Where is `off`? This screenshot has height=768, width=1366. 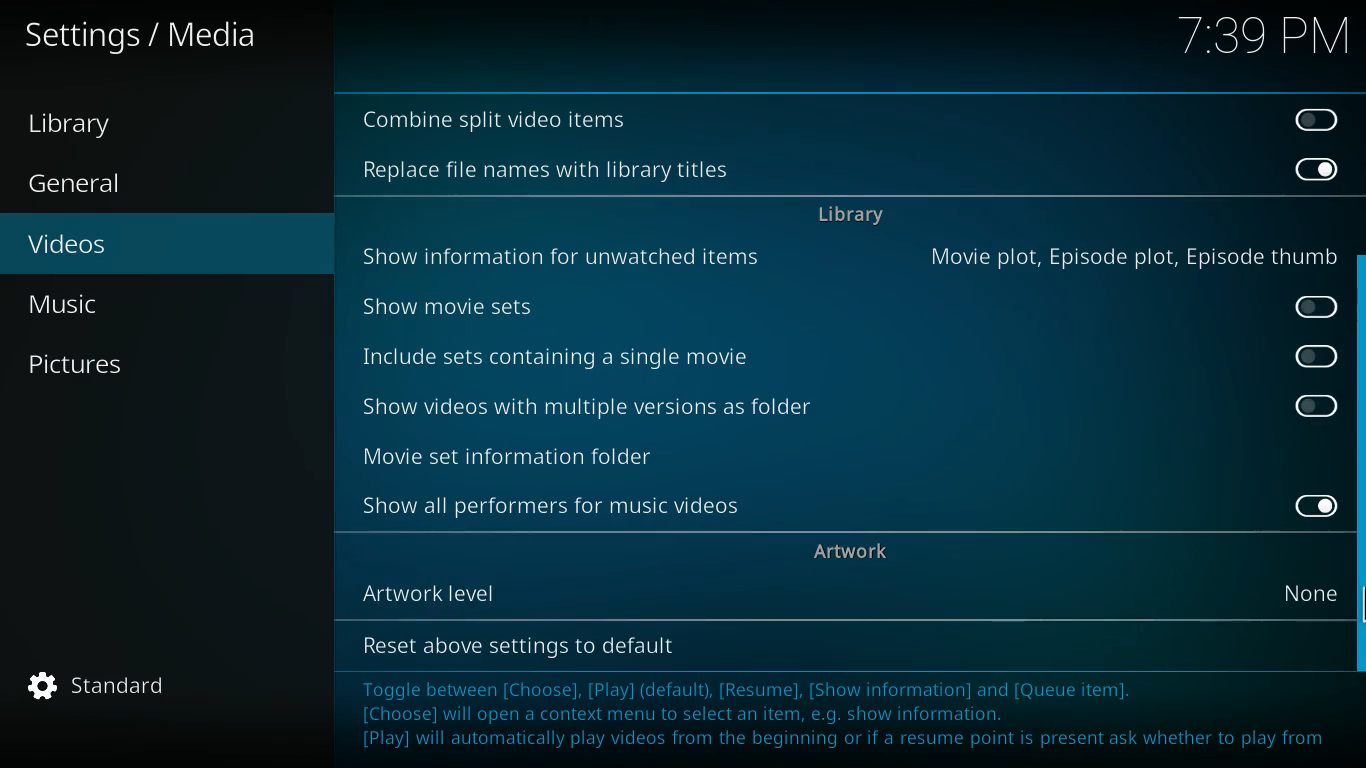 off is located at coordinates (1320, 306).